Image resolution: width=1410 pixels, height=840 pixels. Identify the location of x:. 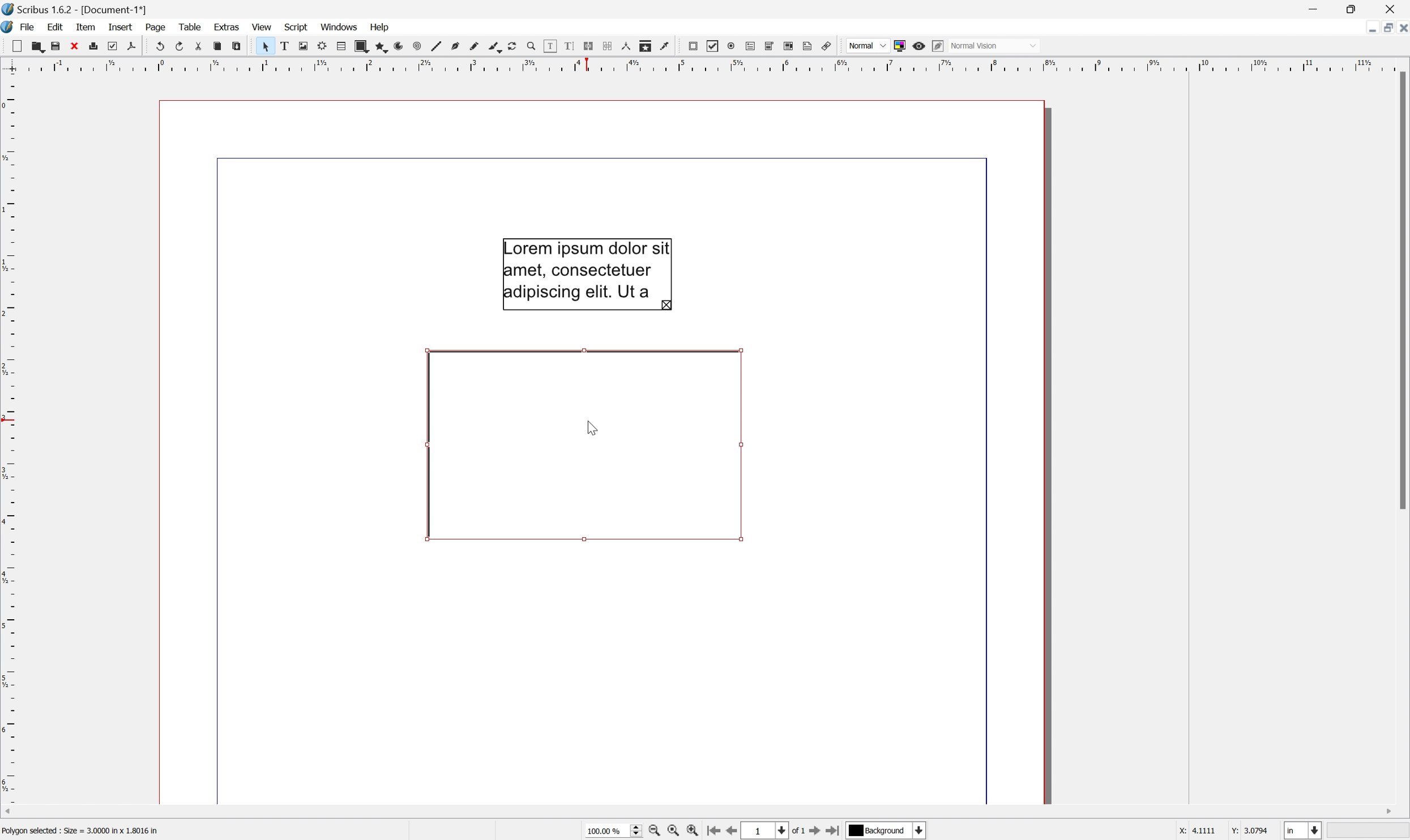
(1180, 830).